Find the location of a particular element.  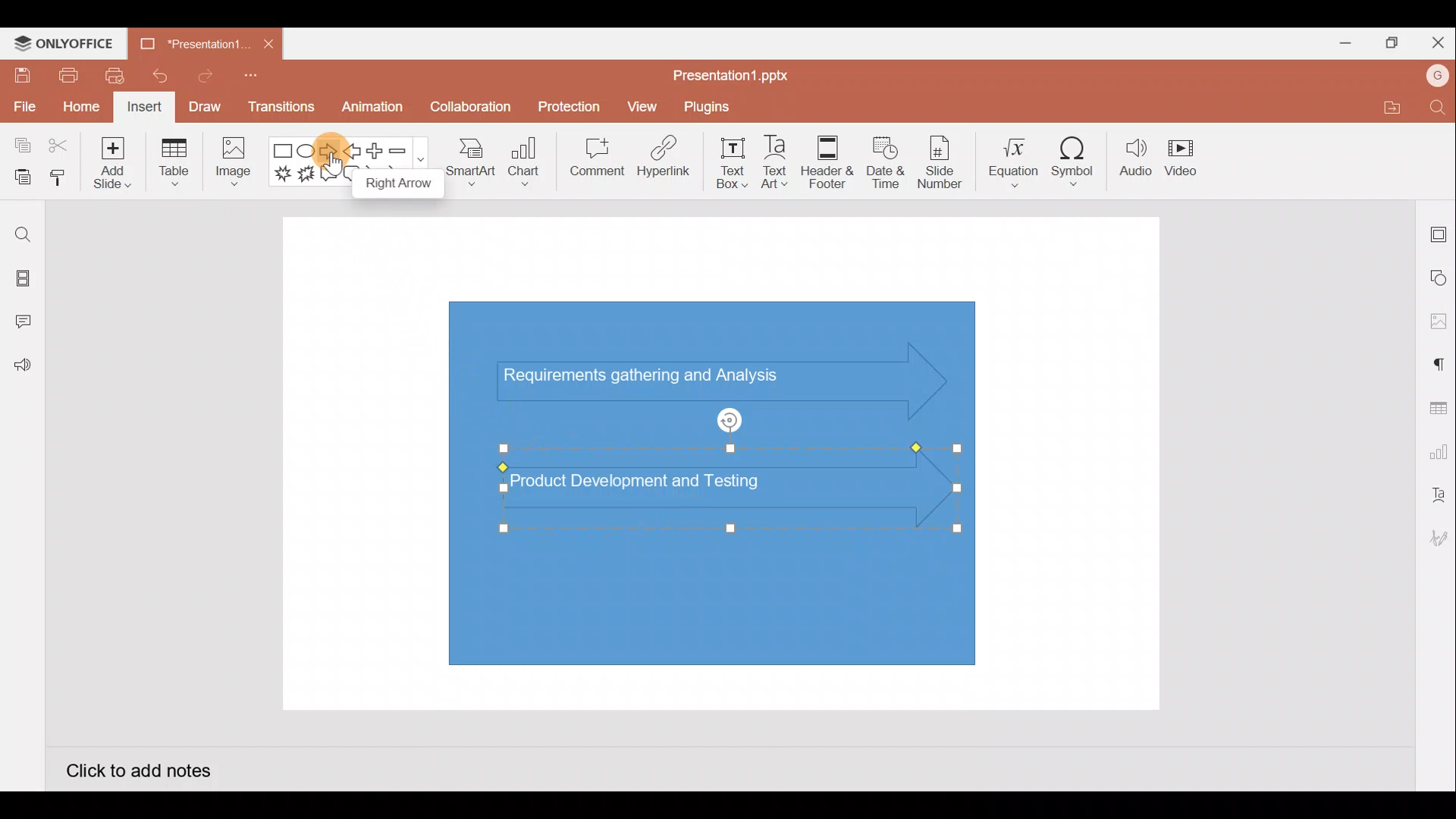

Plugins is located at coordinates (717, 105).